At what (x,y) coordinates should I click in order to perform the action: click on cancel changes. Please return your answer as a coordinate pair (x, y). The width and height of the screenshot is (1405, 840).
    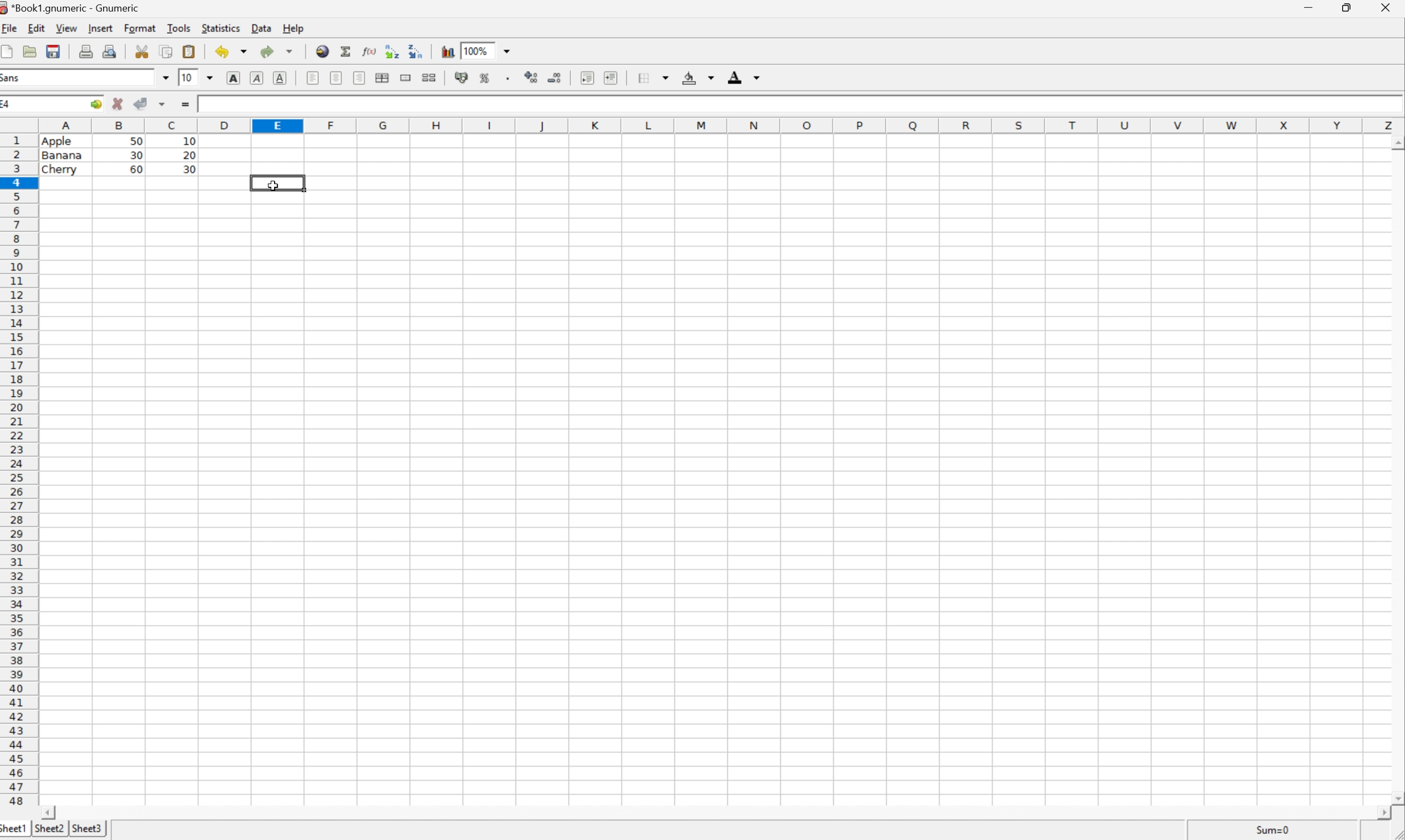
    Looking at the image, I should click on (118, 104).